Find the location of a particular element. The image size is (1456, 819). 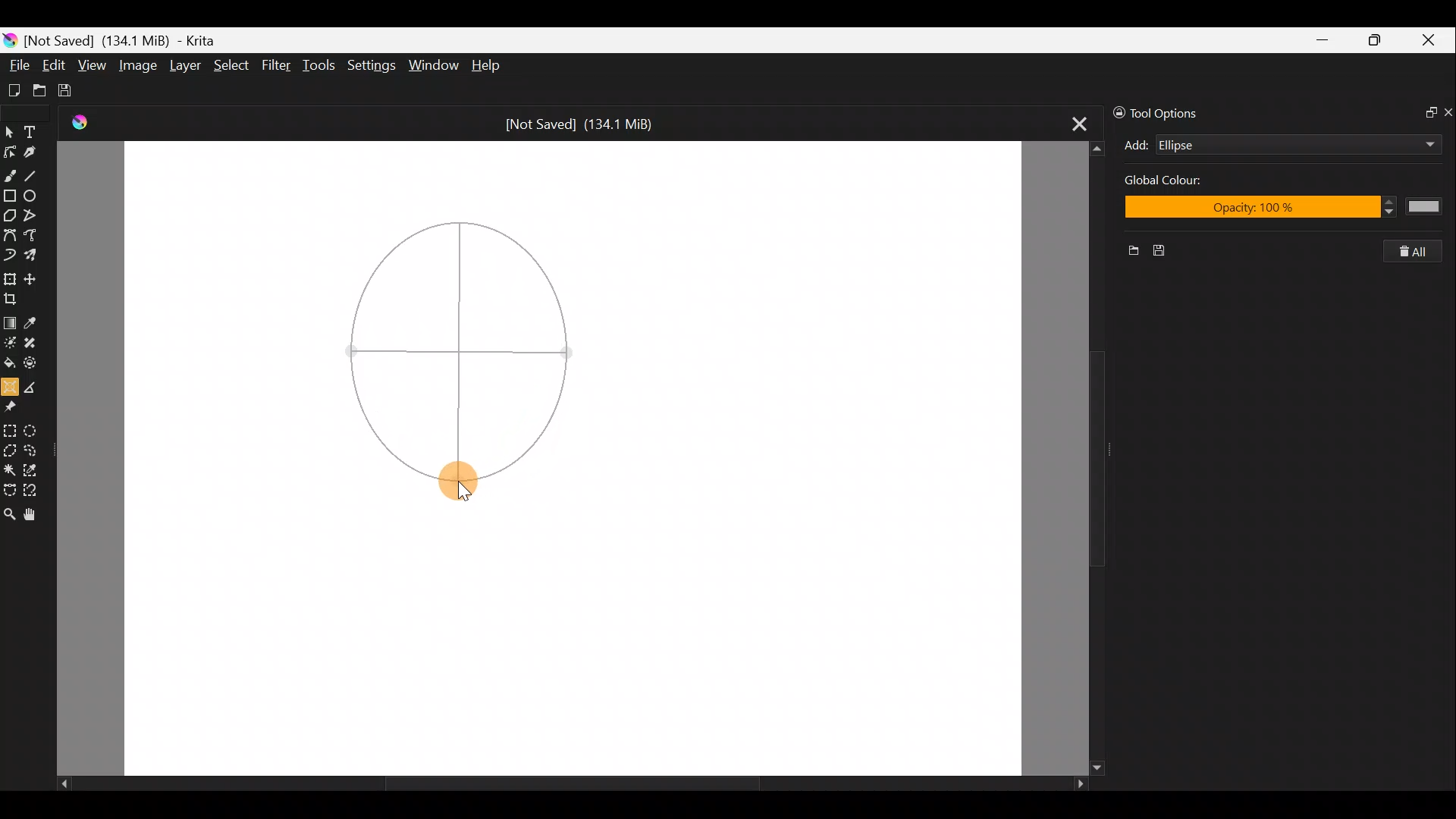

Sample a colour from image/current layer is located at coordinates (33, 320).